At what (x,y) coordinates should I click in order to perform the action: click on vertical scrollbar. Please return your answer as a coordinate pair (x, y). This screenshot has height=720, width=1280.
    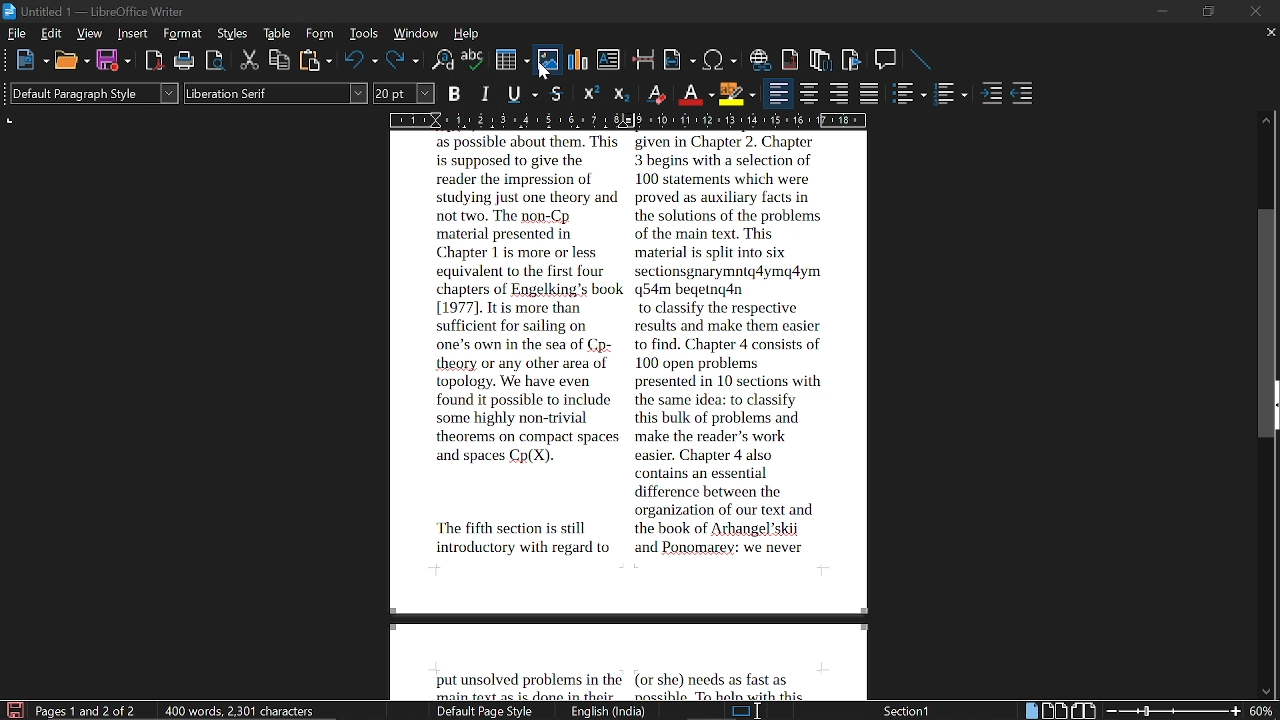
    Looking at the image, I should click on (1269, 327).